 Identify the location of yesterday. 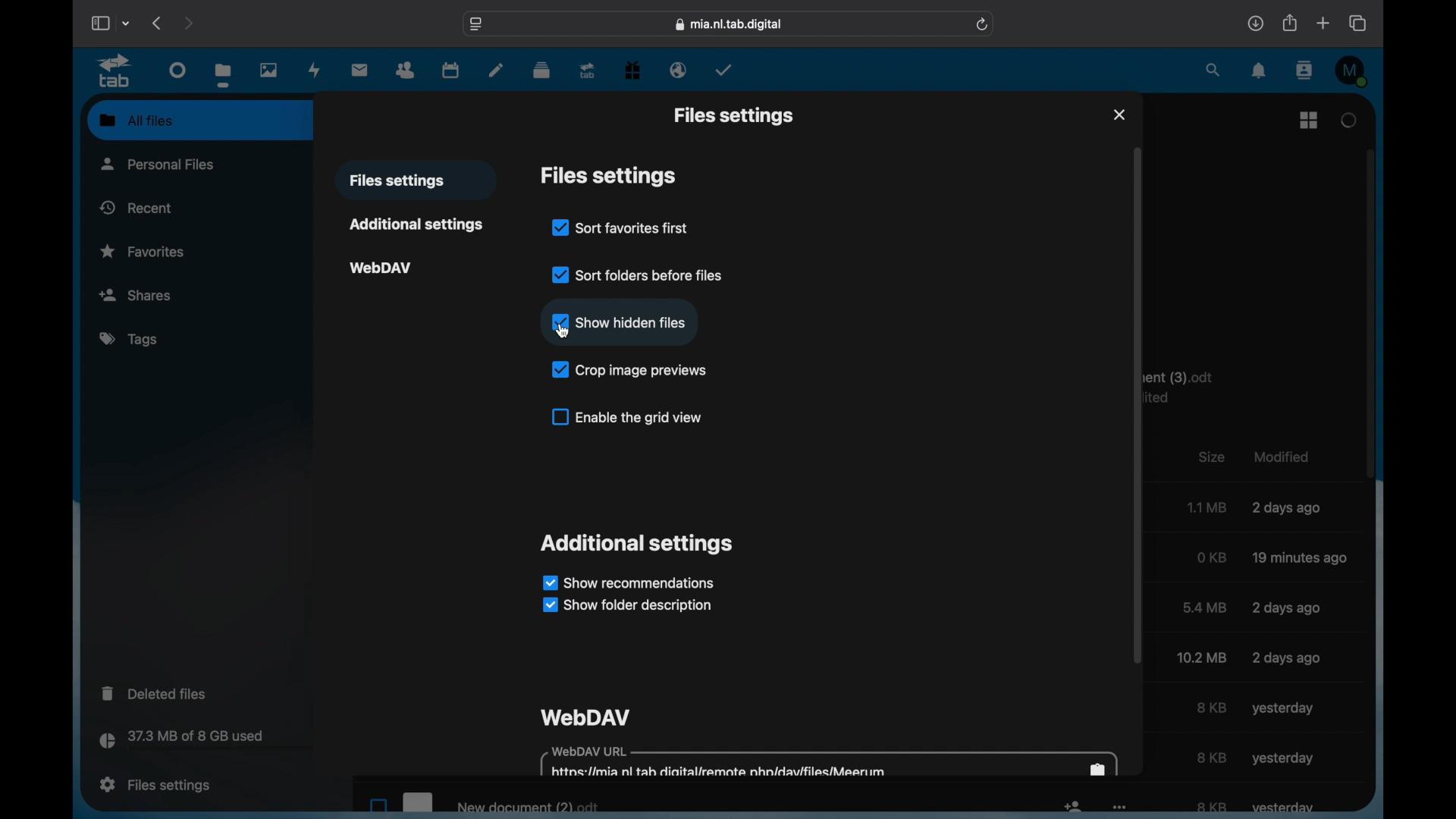
(1283, 758).